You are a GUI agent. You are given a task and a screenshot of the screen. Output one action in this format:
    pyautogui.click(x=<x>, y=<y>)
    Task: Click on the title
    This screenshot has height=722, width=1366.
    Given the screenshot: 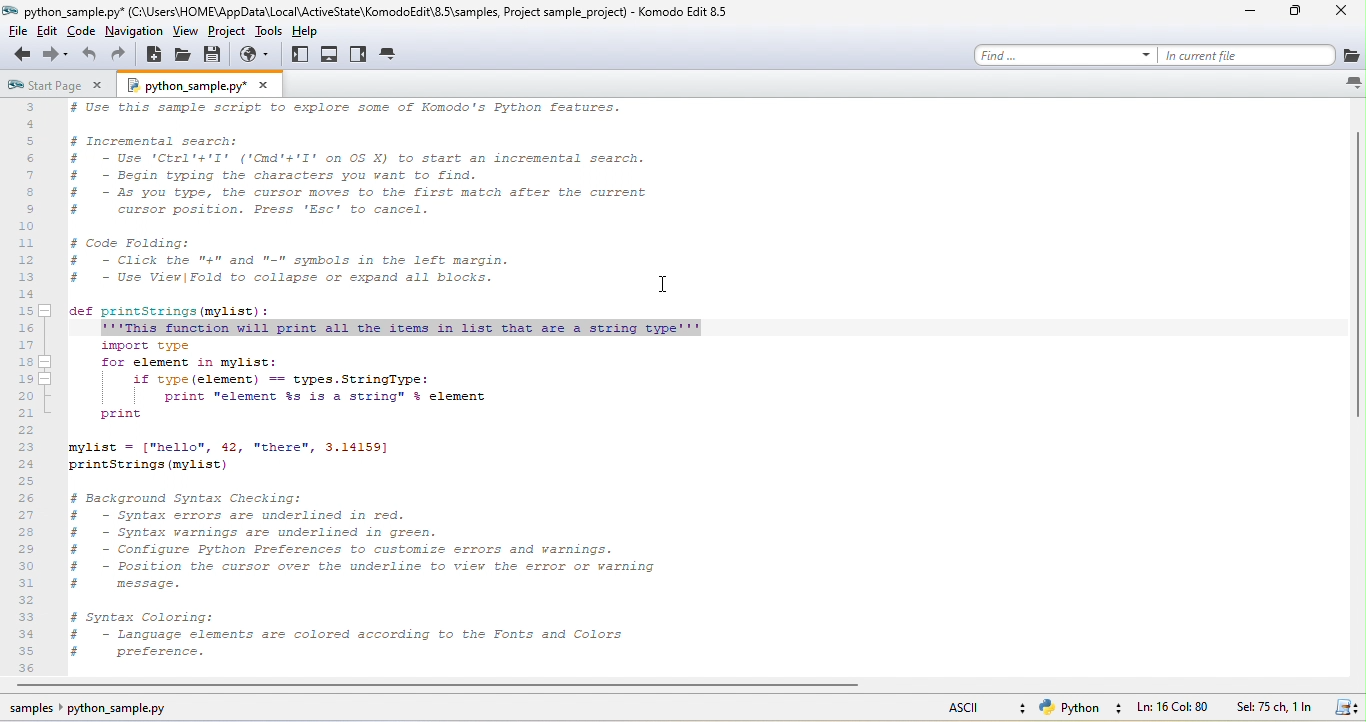 What is the action you would take?
    pyautogui.click(x=378, y=12)
    